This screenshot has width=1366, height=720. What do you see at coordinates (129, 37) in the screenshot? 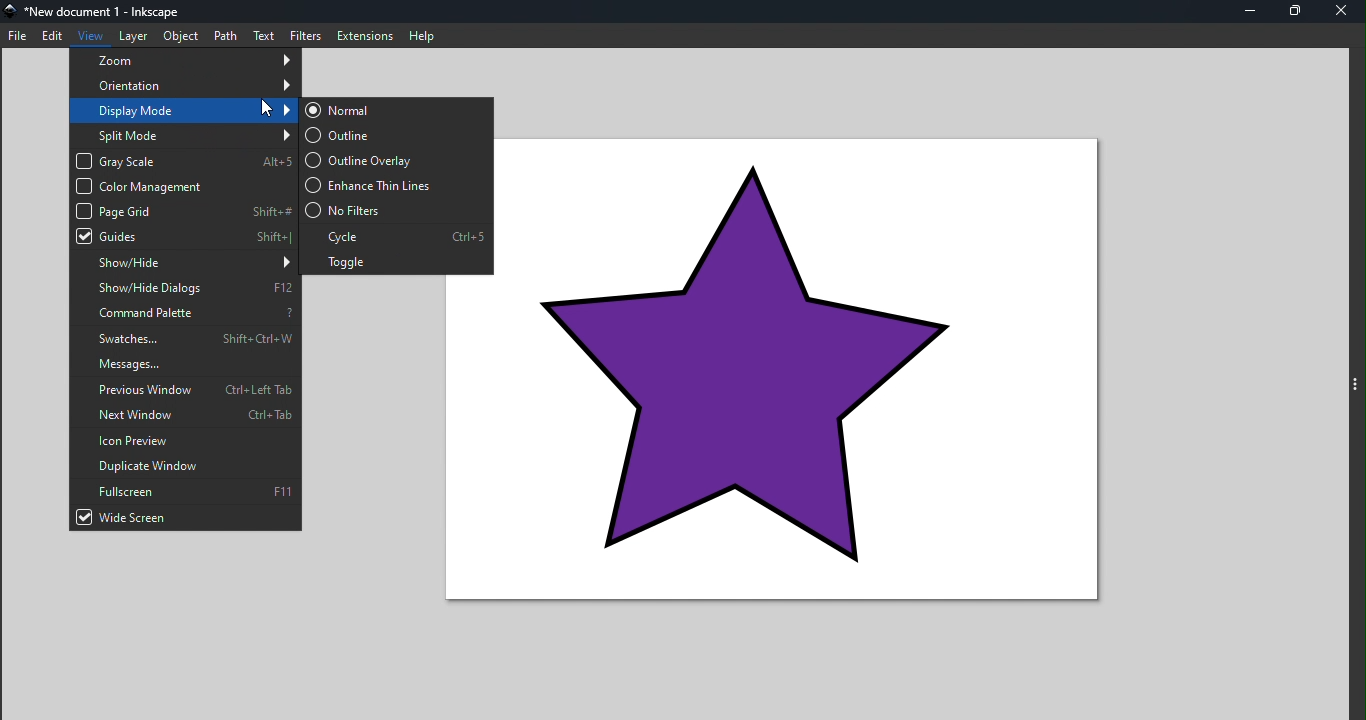
I see `Layer` at bounding box center [129, 37].